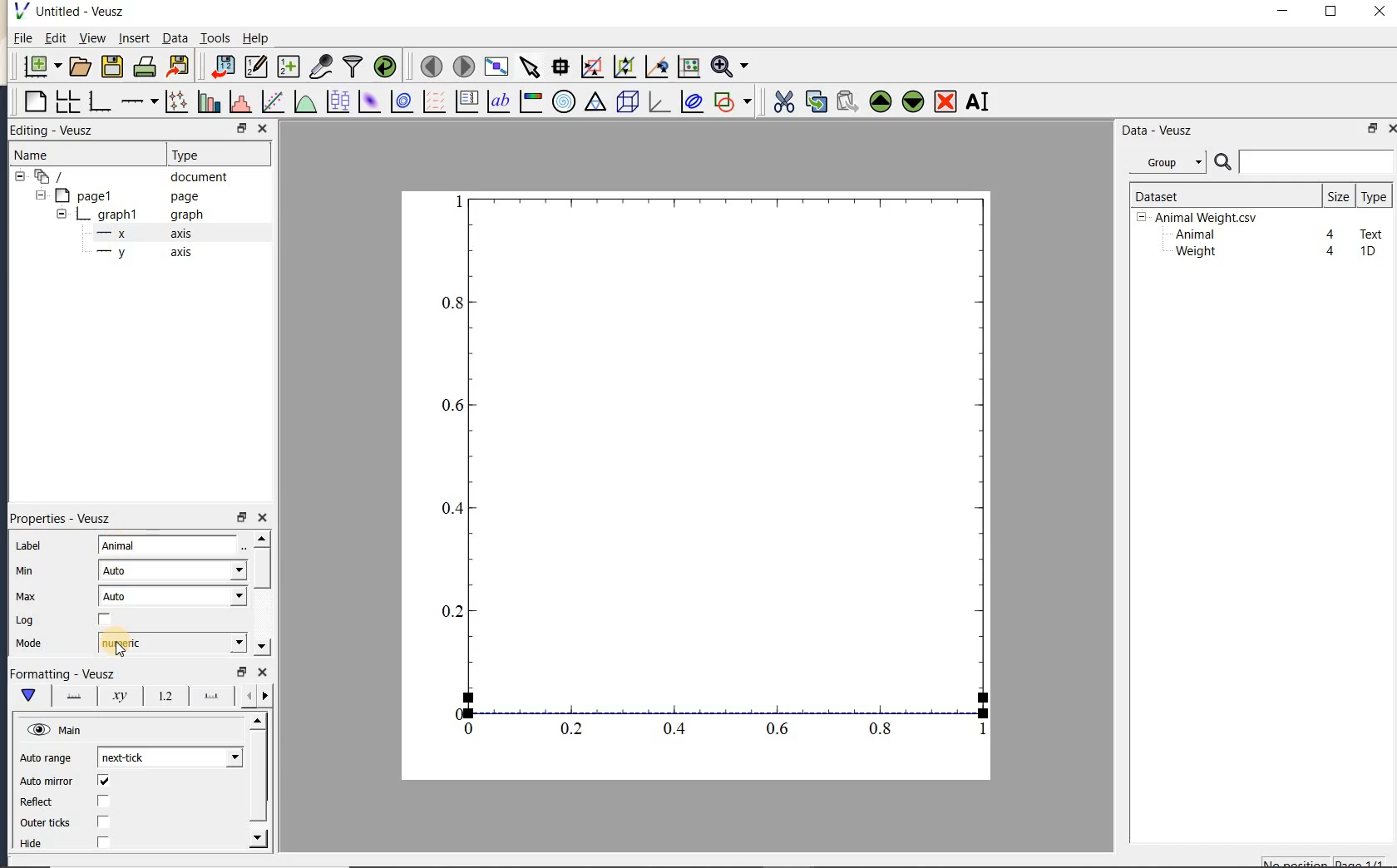 The height and width of the screenshot is (868, 1397). I want to click on Data - Veusz, so click(1172, 163).